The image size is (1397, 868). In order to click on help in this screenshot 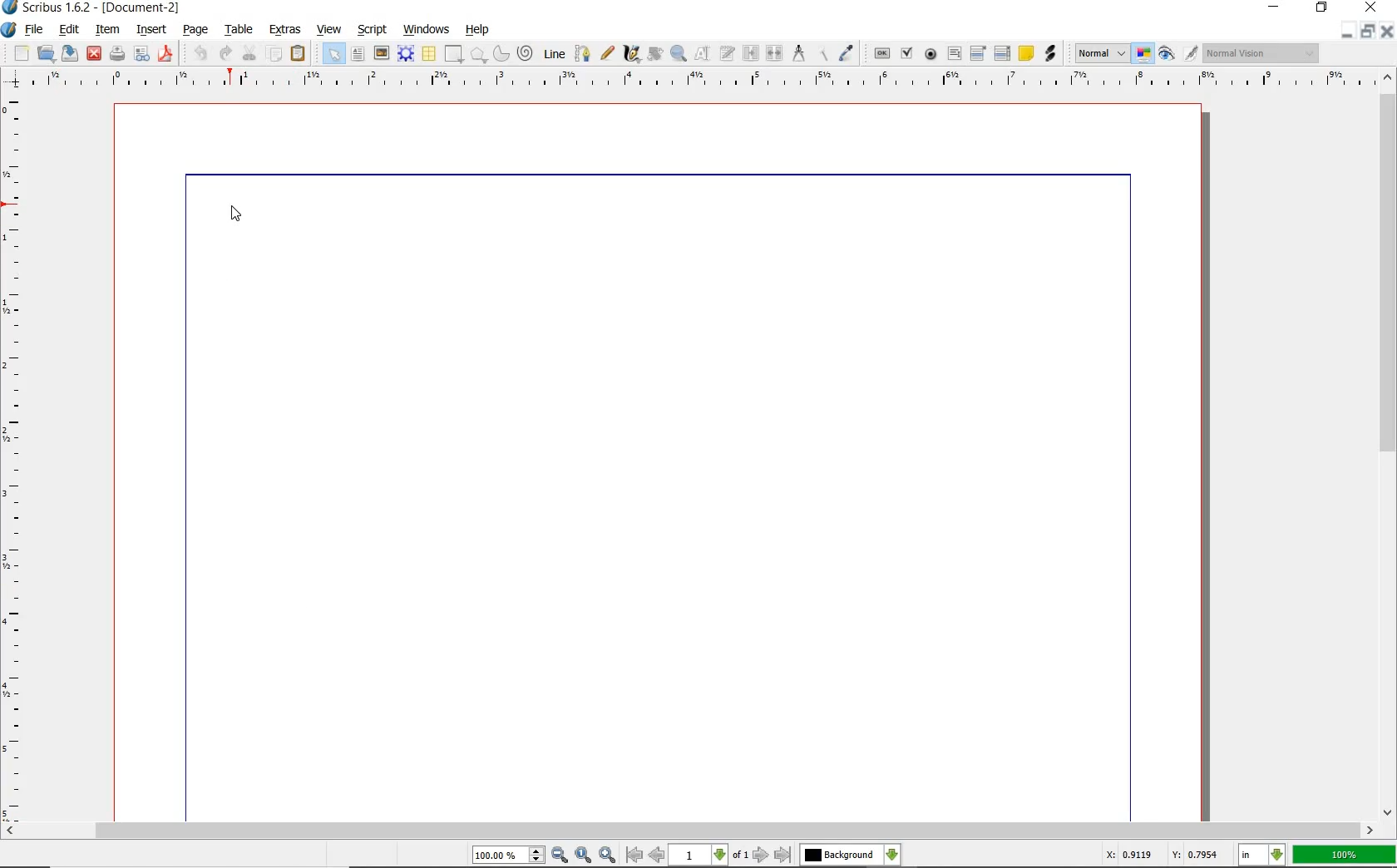, I will do `click(480, 32)`.